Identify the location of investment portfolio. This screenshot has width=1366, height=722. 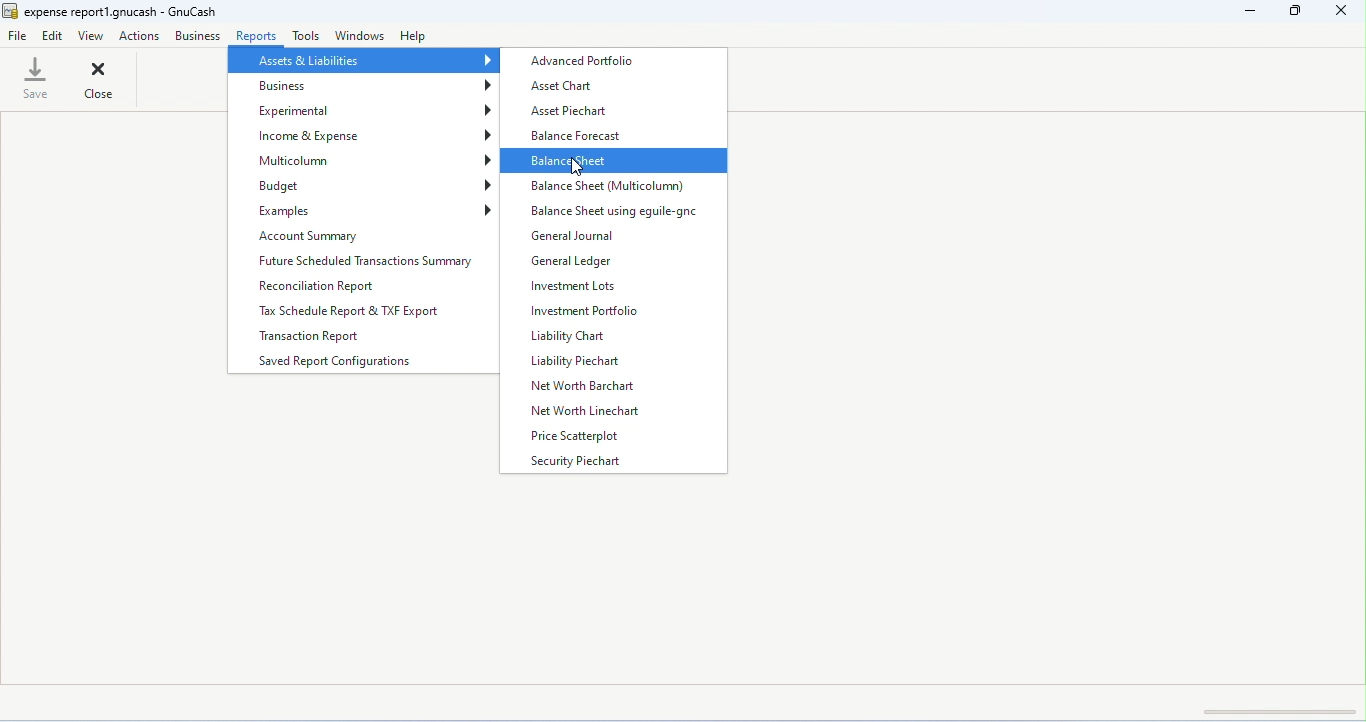
(587, 312).